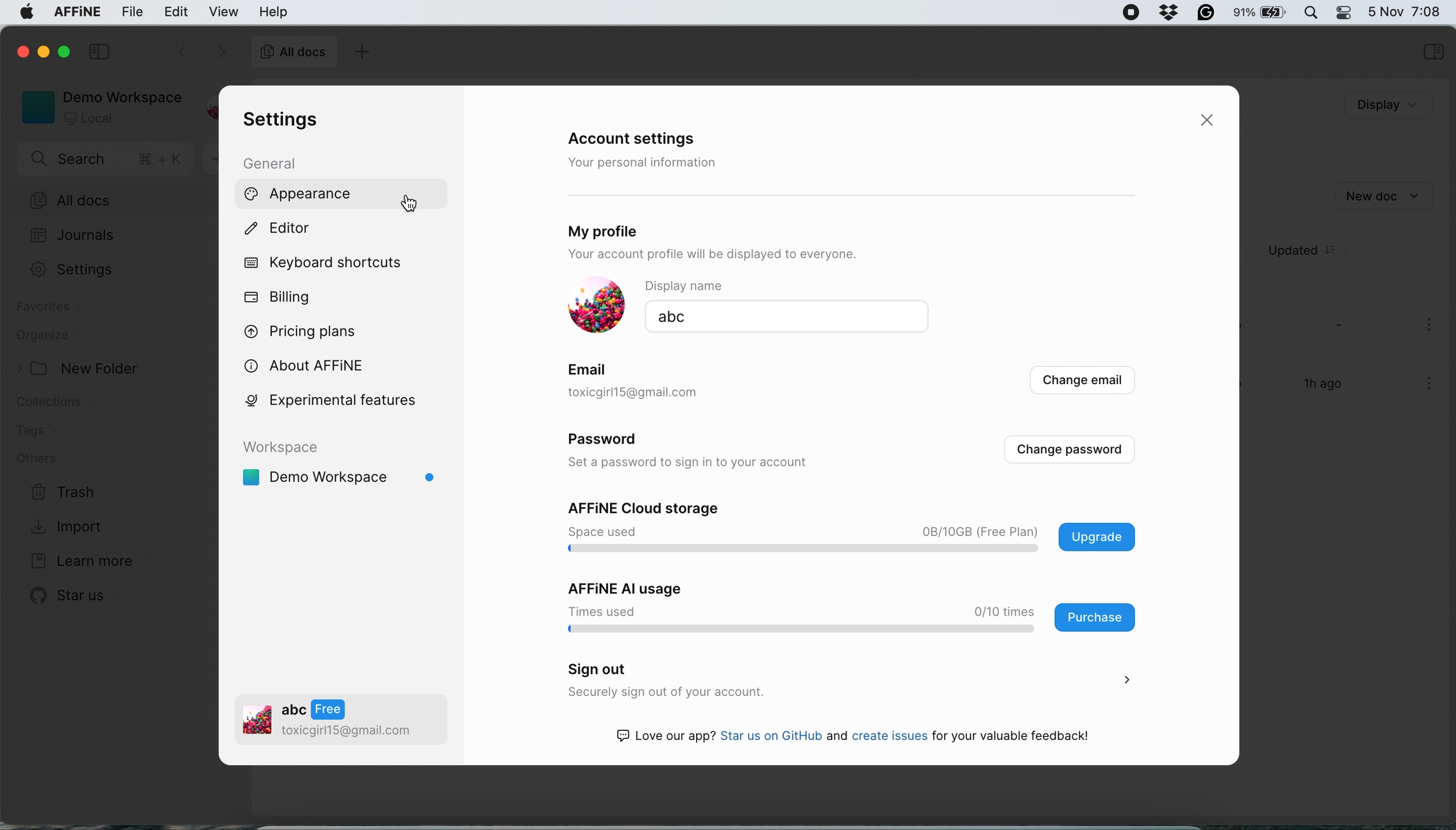 The height and width of the screenshot is (830, 1456). I want to click on file, so click(129, 11).